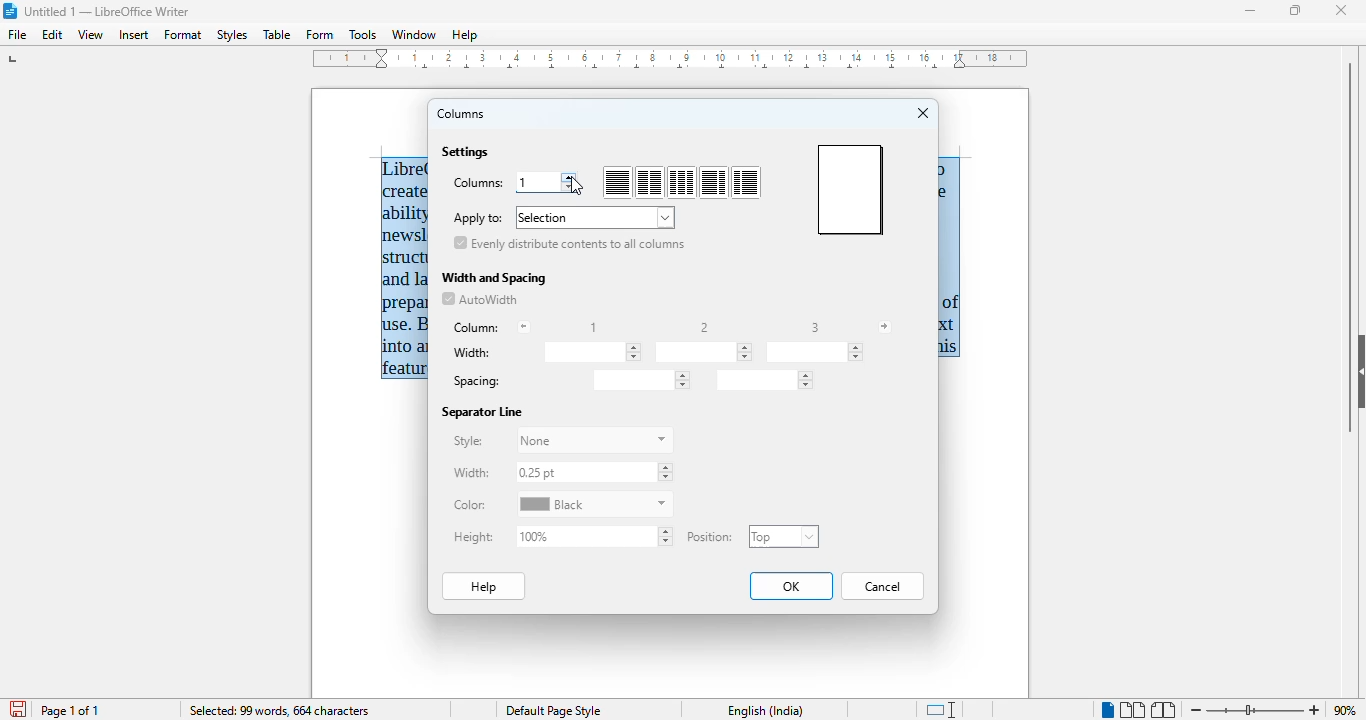 This screenshot has width=1366, height=720. Describe the element at coordinates (577, 187) in the screenshot. I see `cursor` at that location.